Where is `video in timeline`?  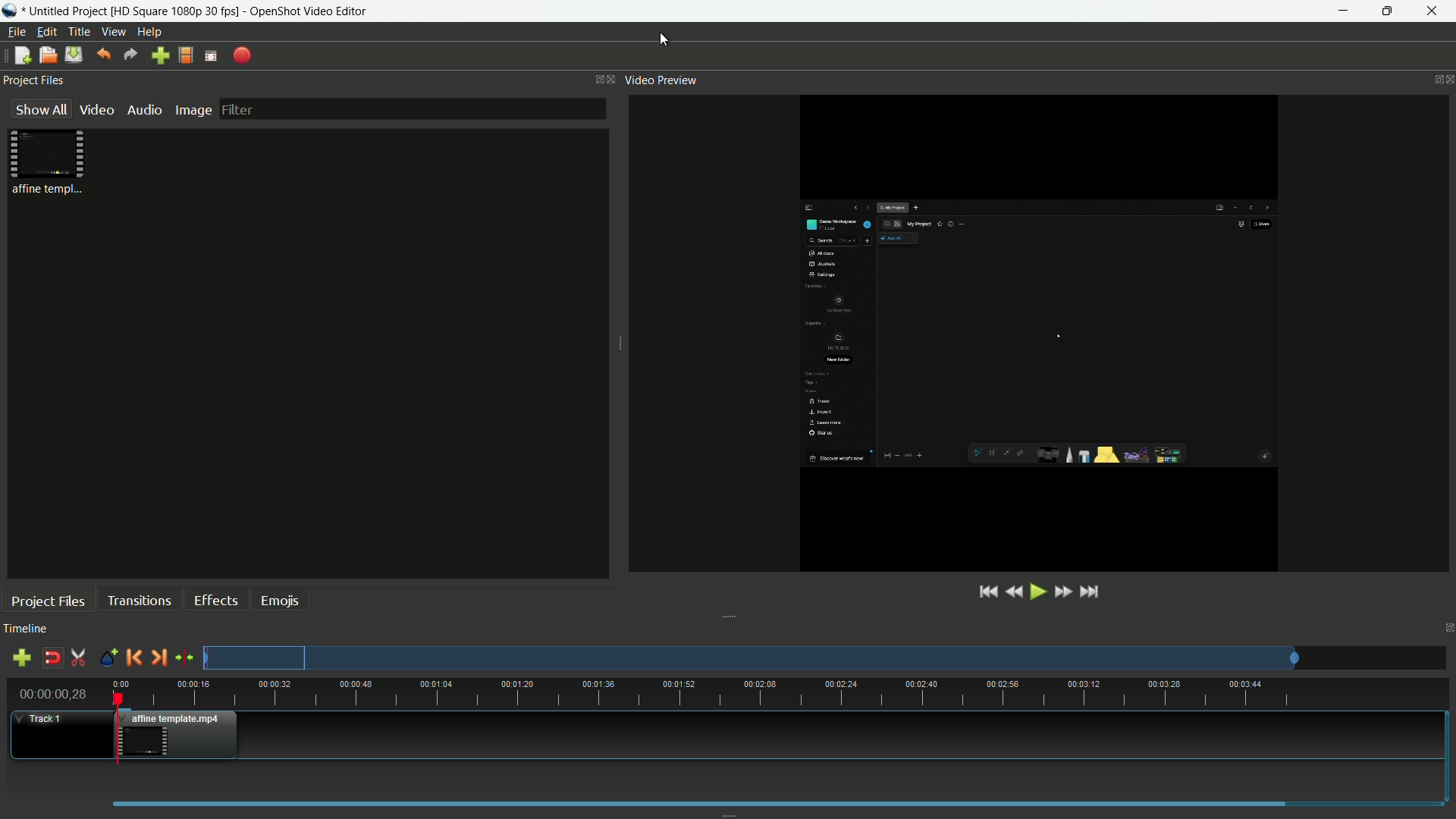
video in timeline is located at coordinates (180, 735).